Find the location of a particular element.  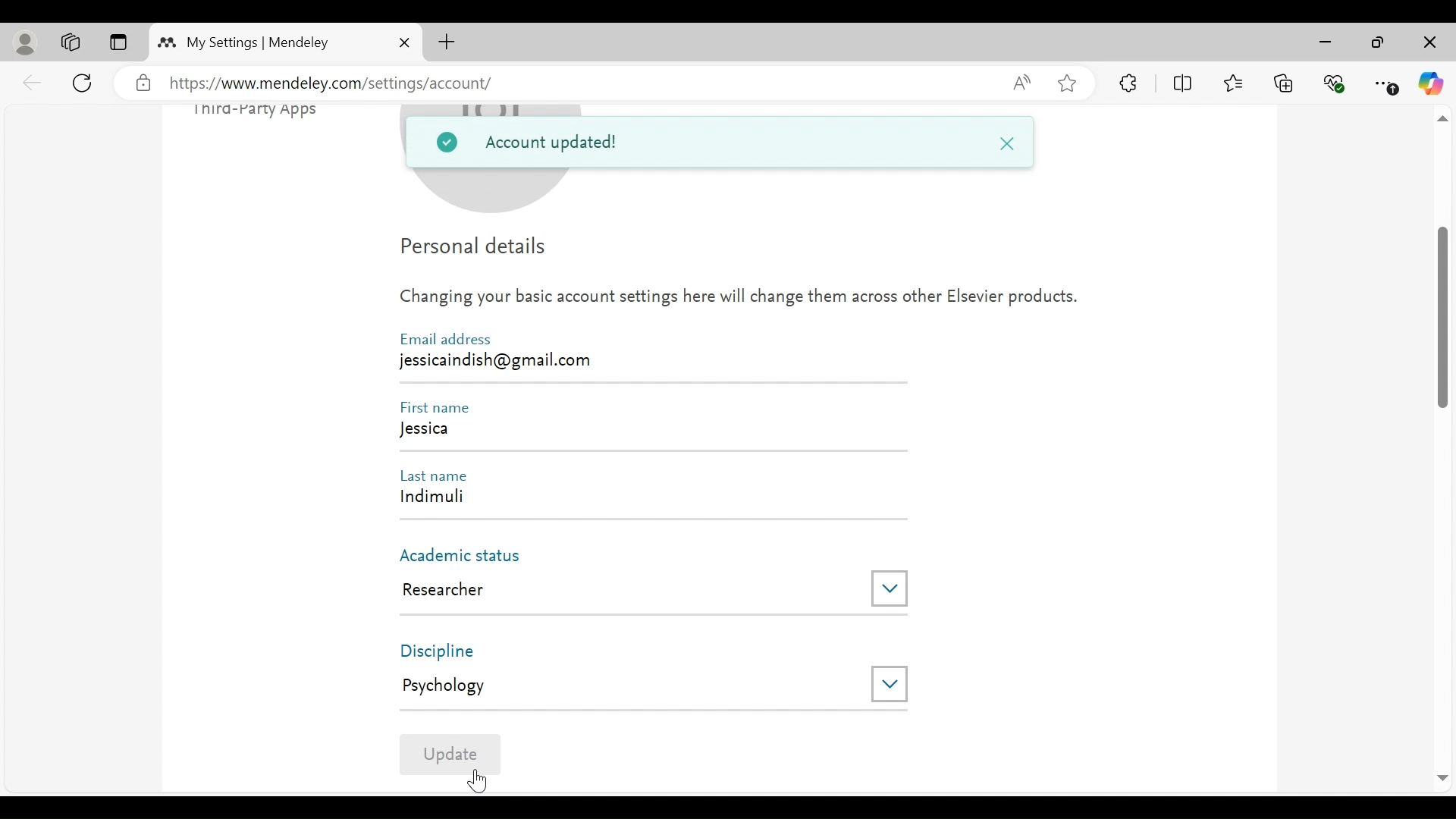

Read aloud this page is located at coordinates (1021, 82).